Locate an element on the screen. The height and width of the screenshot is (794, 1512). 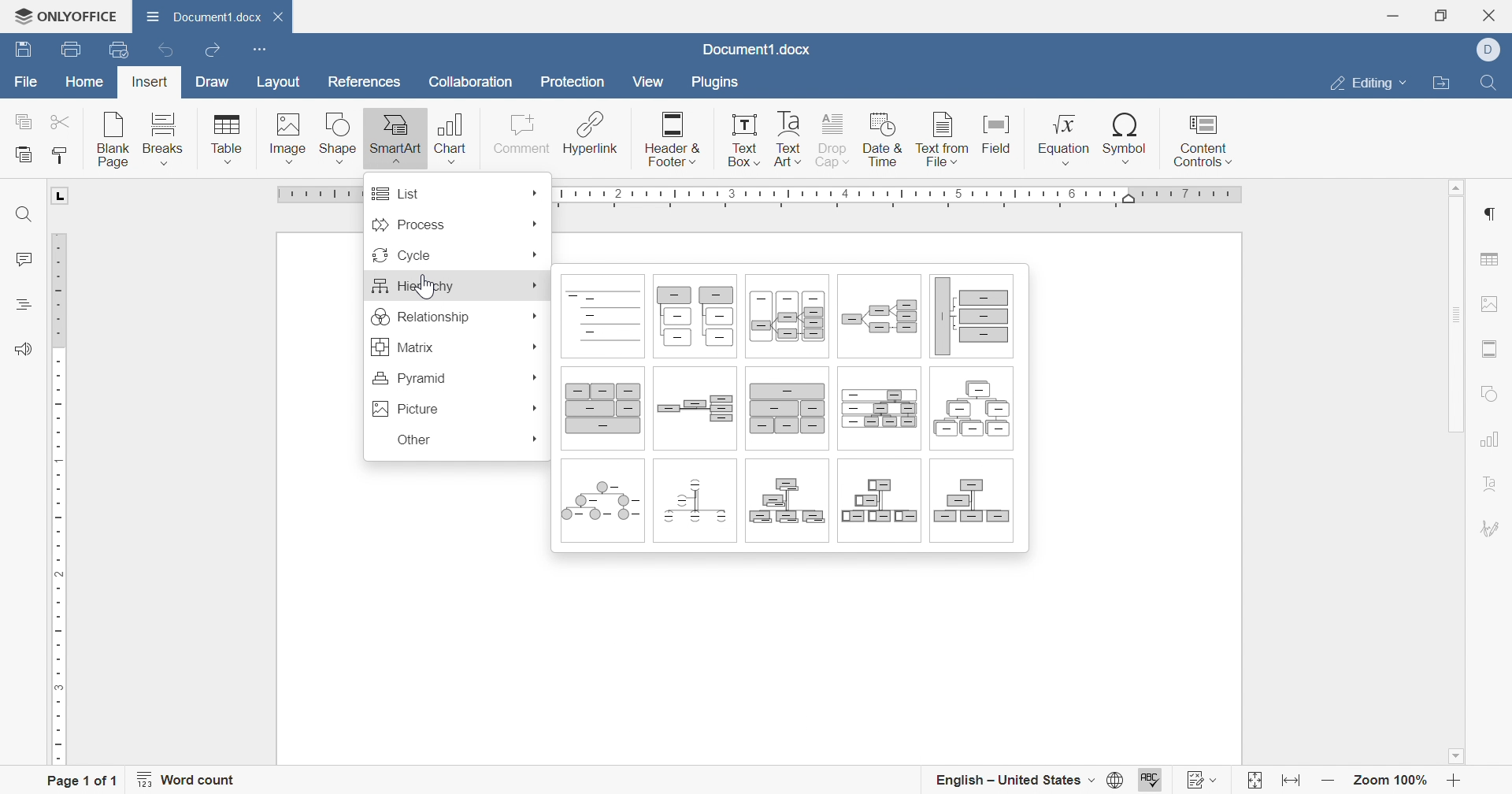
Equation is located at coordinates (1064, 139).